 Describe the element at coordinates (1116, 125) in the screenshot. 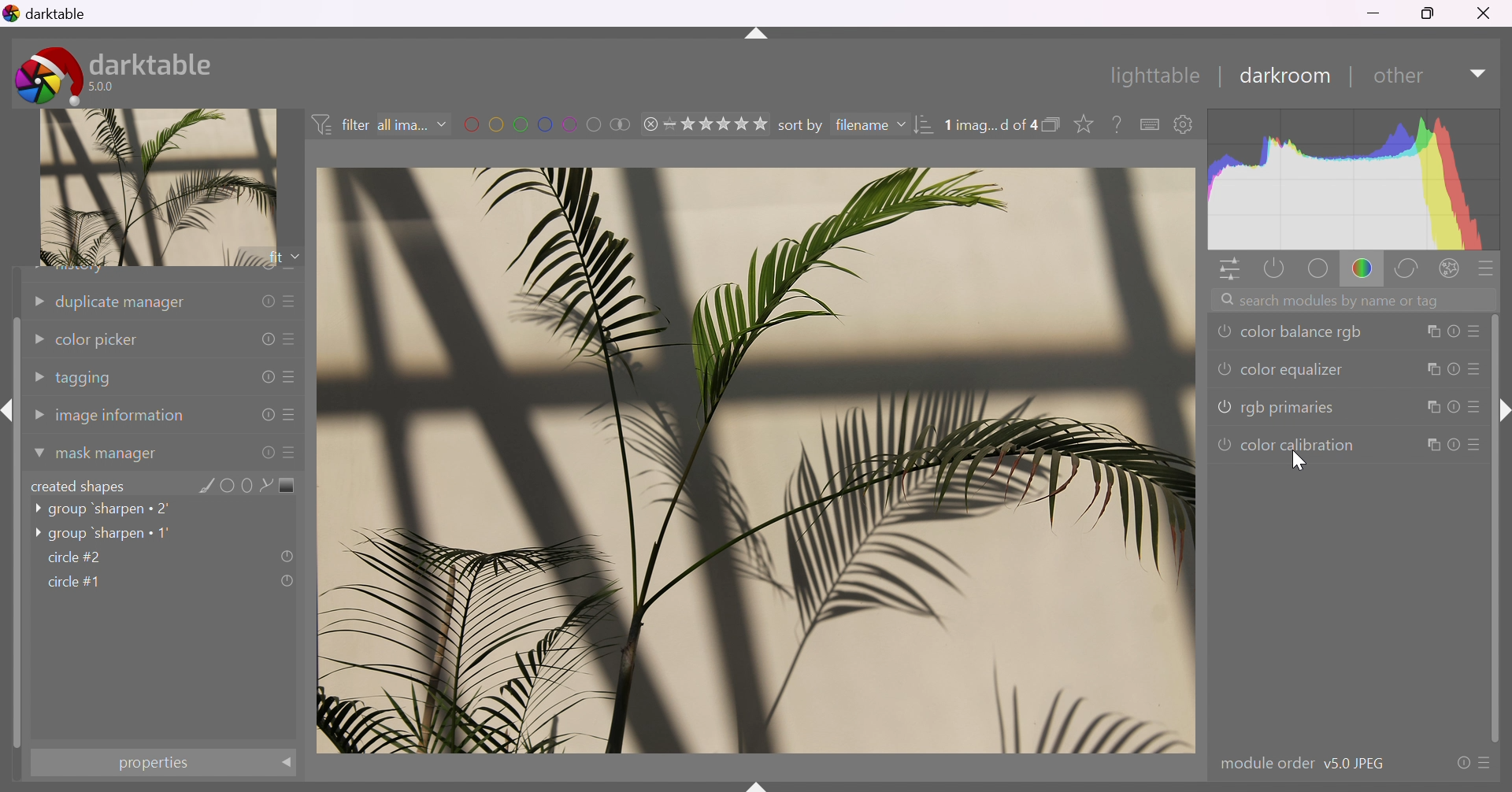

I see `enable this, then click on a control element to see its online help` at that location.